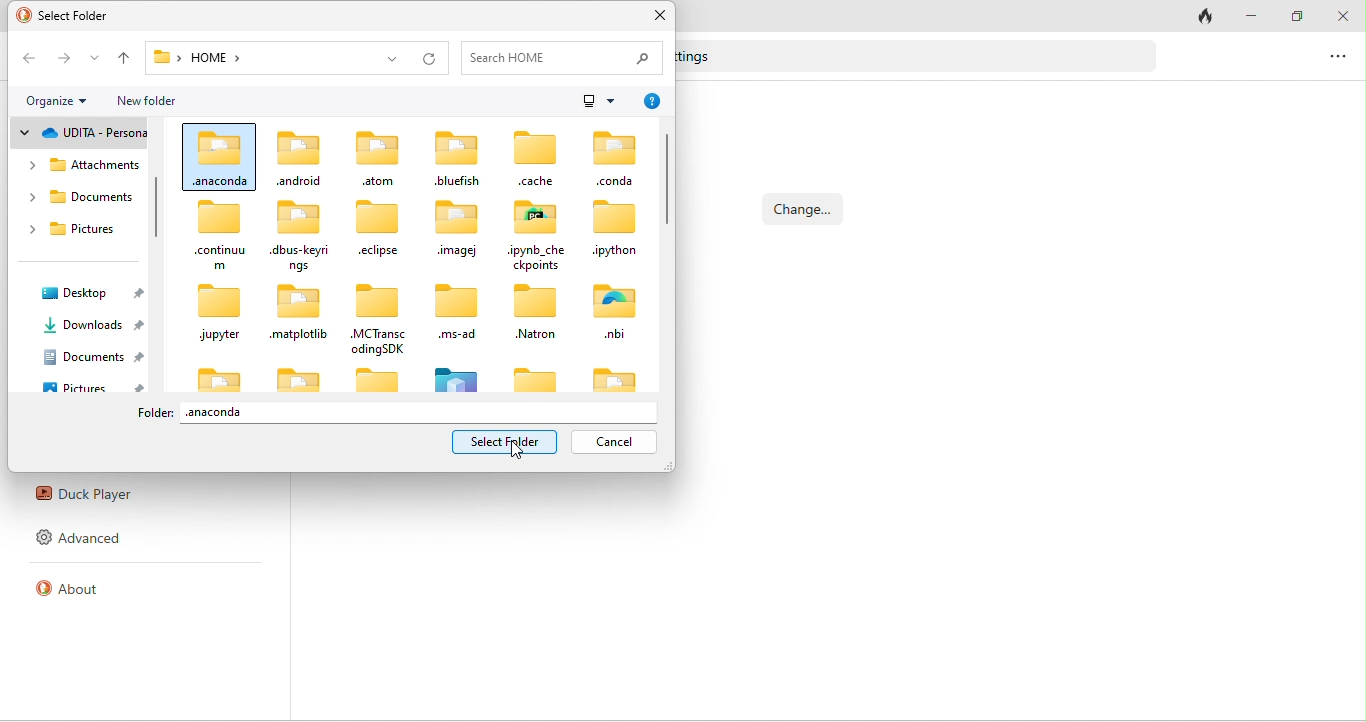 The width and height of the screenshot is (1366, 722). What do you see at coordinates (393, 57) in the screenshot?
I see `previous location` at bounding box center [393, 57].